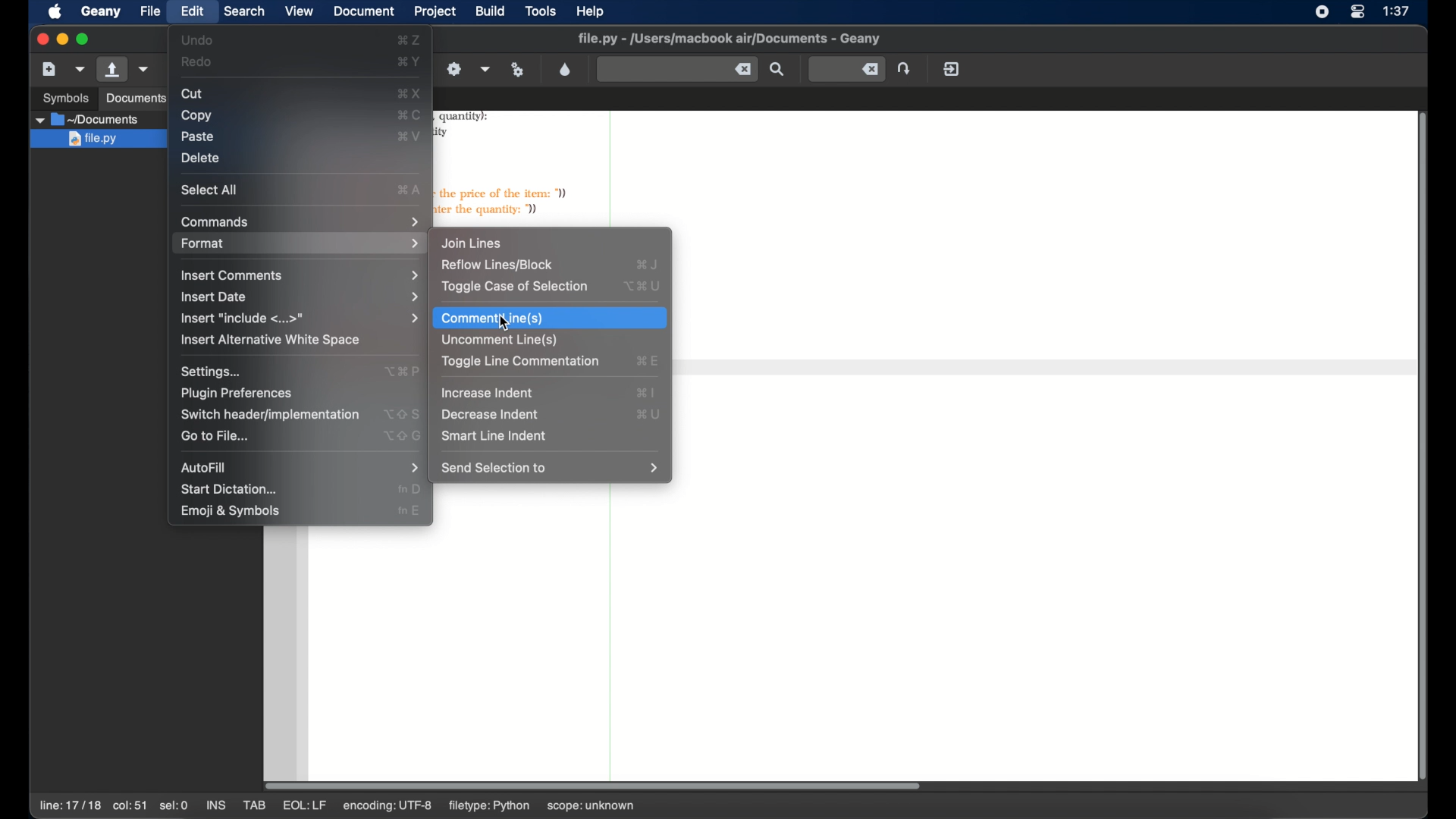  Describe the element at coordinates (297, 318) in the screenshot. I see `insert include` at that location.